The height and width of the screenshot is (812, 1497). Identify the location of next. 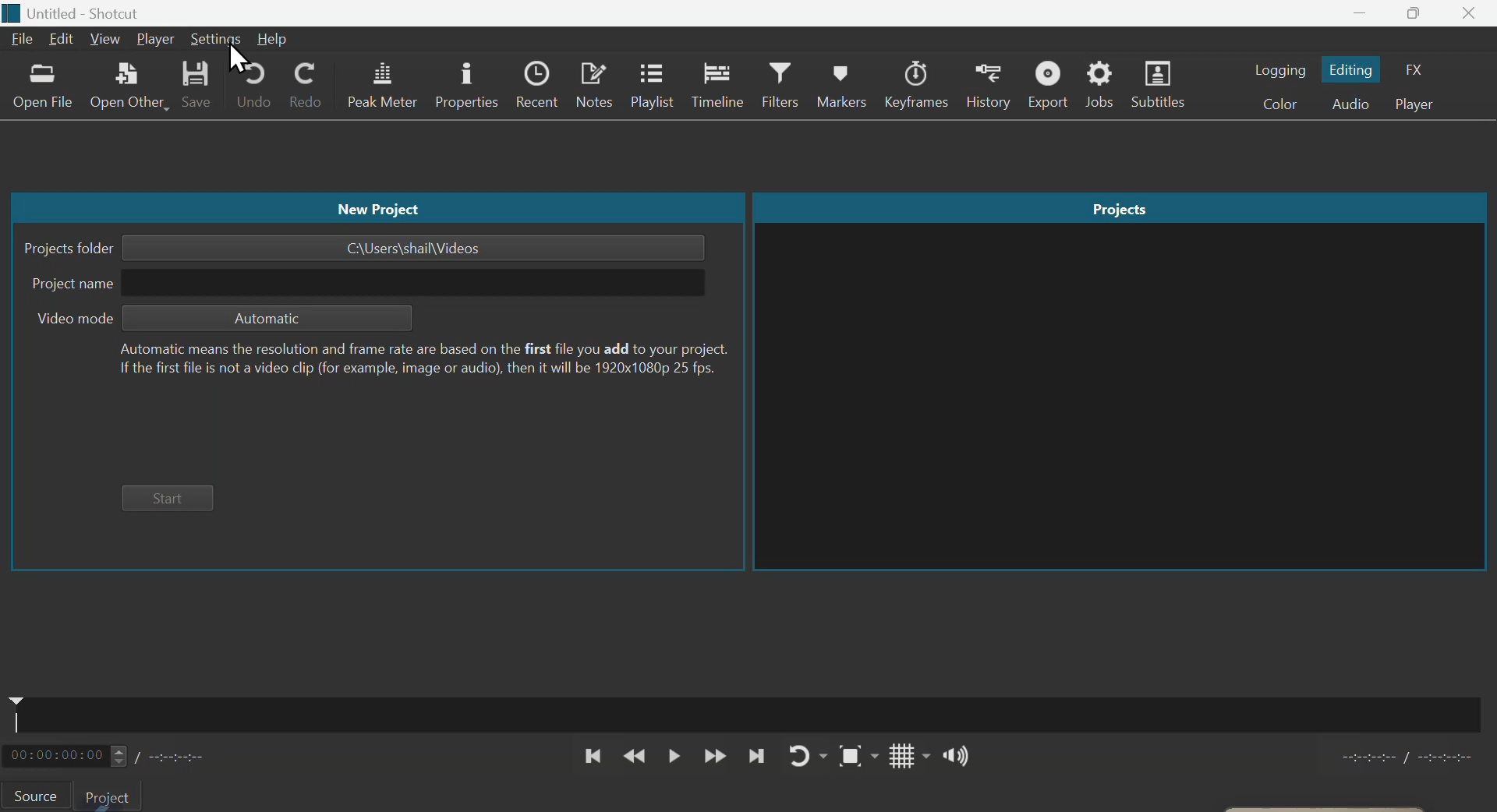
(755, 755).